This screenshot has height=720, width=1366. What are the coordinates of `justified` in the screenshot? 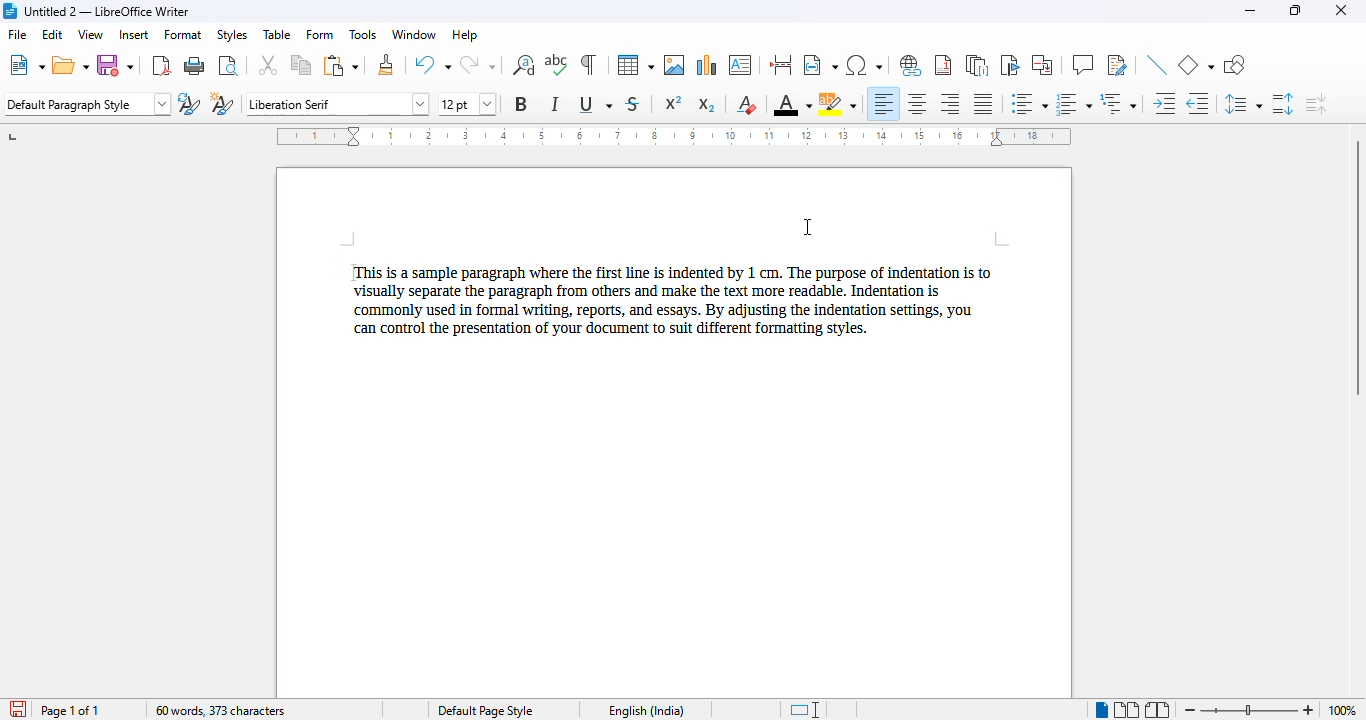 It's located at (983, 104).